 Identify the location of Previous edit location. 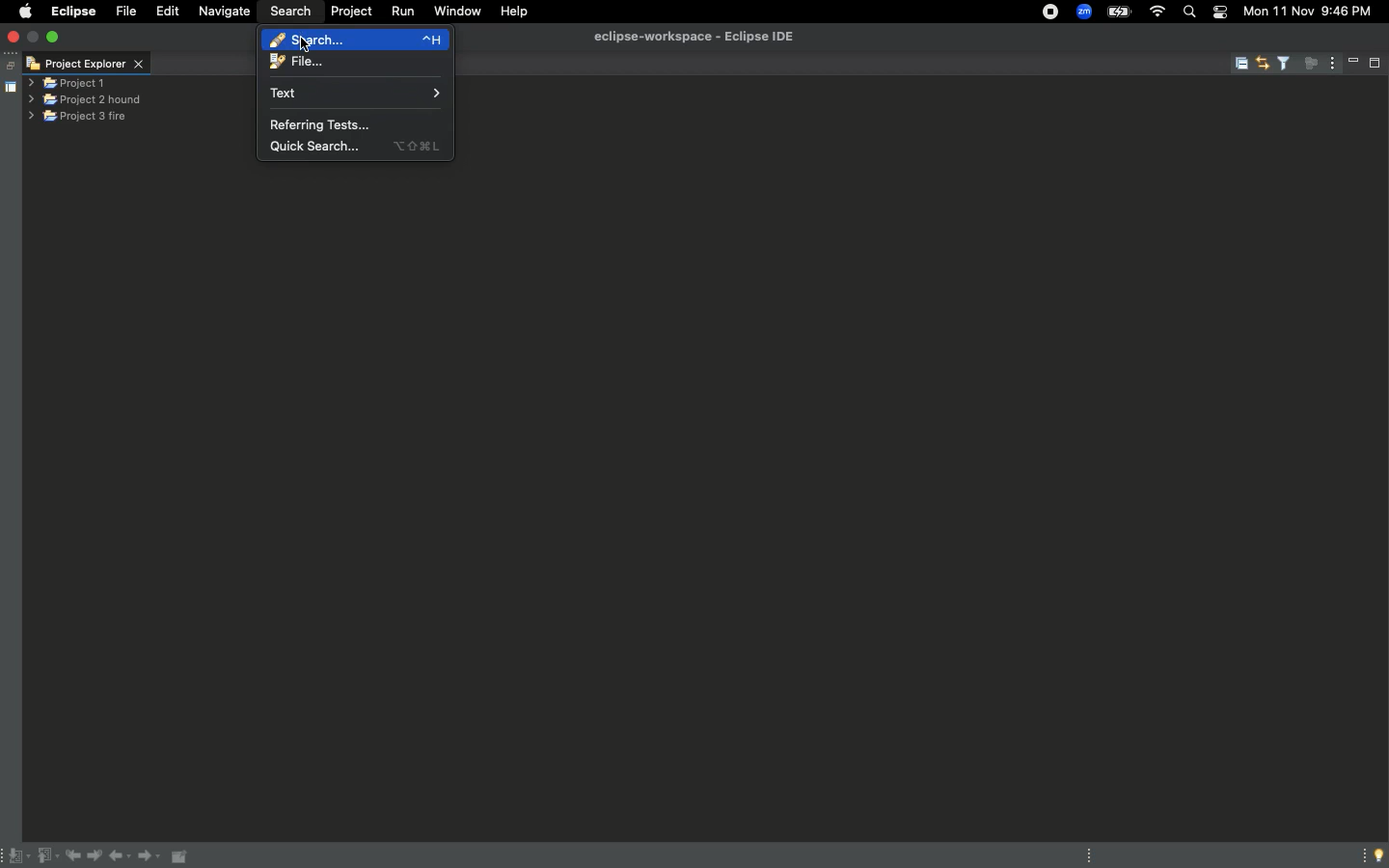
(76, 856).